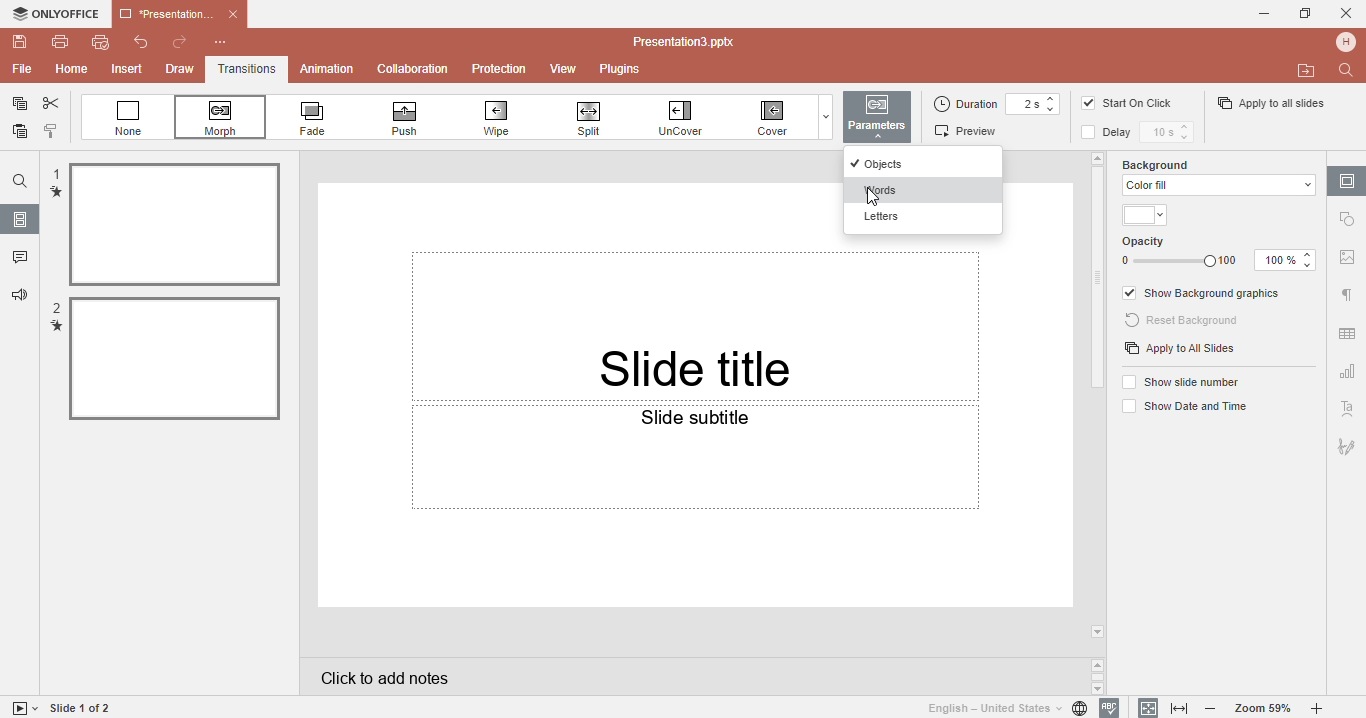 This screenshot has width=1366, height=718. Describe the element at coordinates (225, 118) in the screenshot. I see `Morph` at that location.